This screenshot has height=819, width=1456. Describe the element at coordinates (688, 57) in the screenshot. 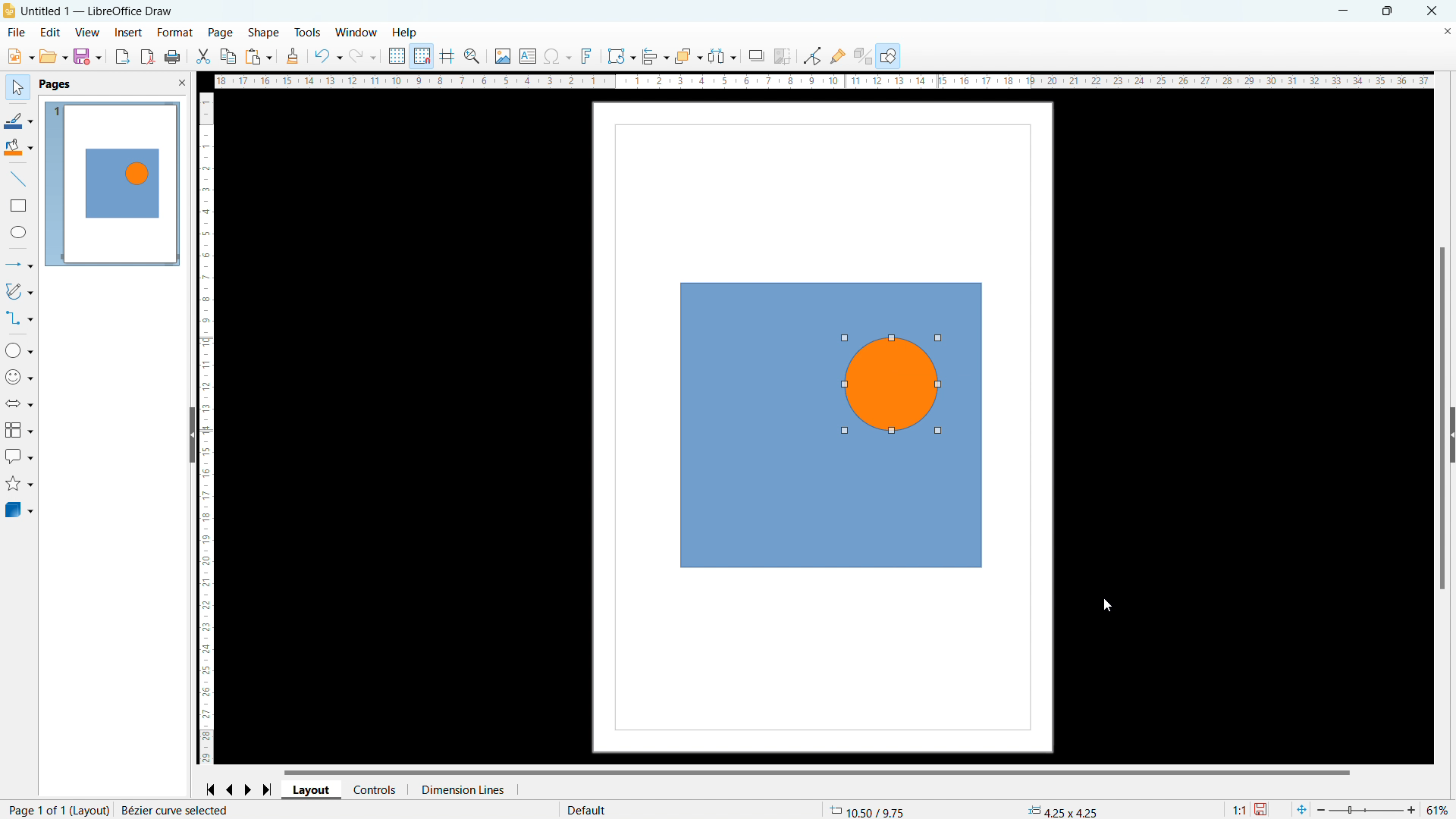

I see `arrange` at that location.